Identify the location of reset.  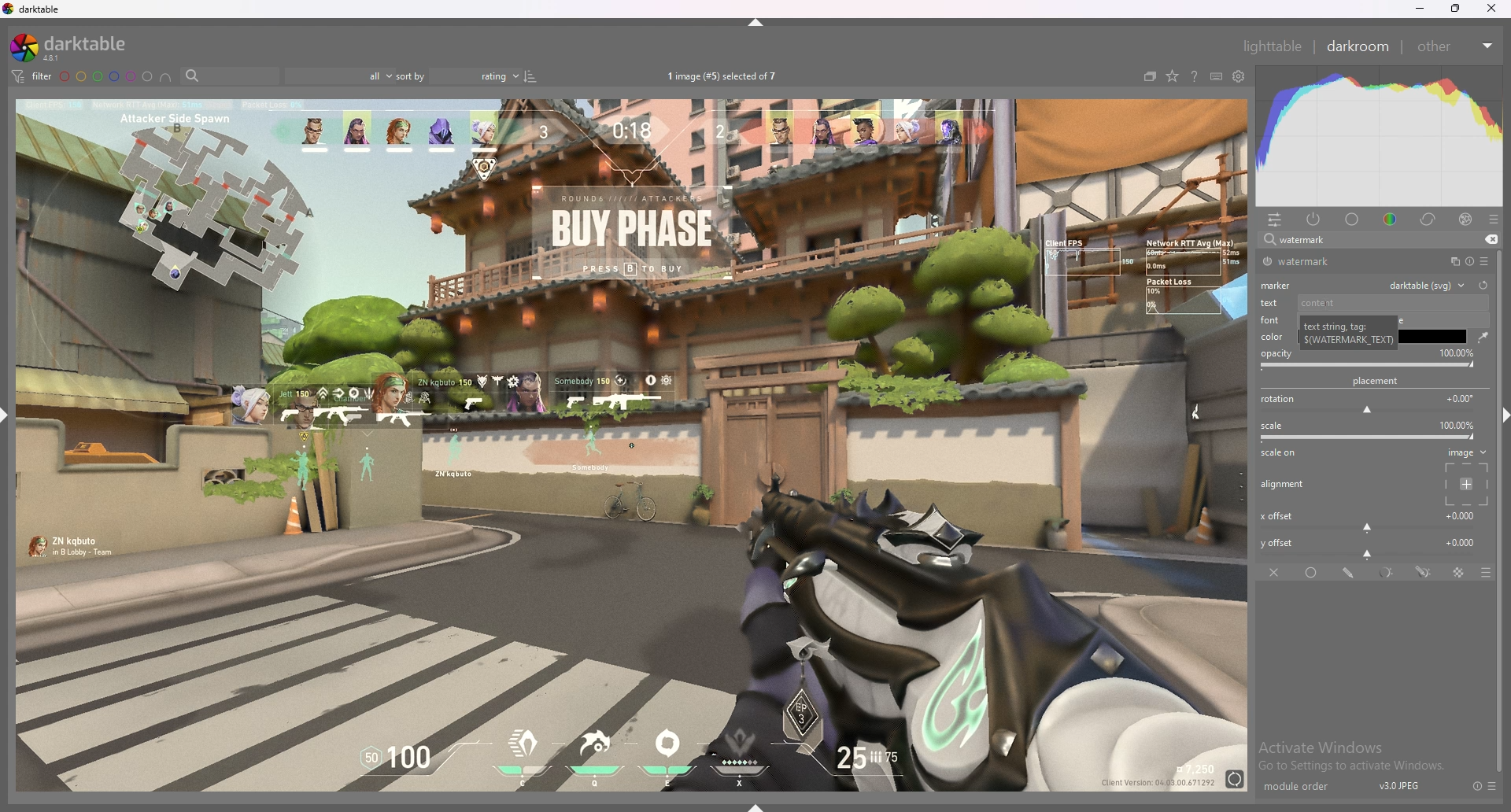
(1476, 786).